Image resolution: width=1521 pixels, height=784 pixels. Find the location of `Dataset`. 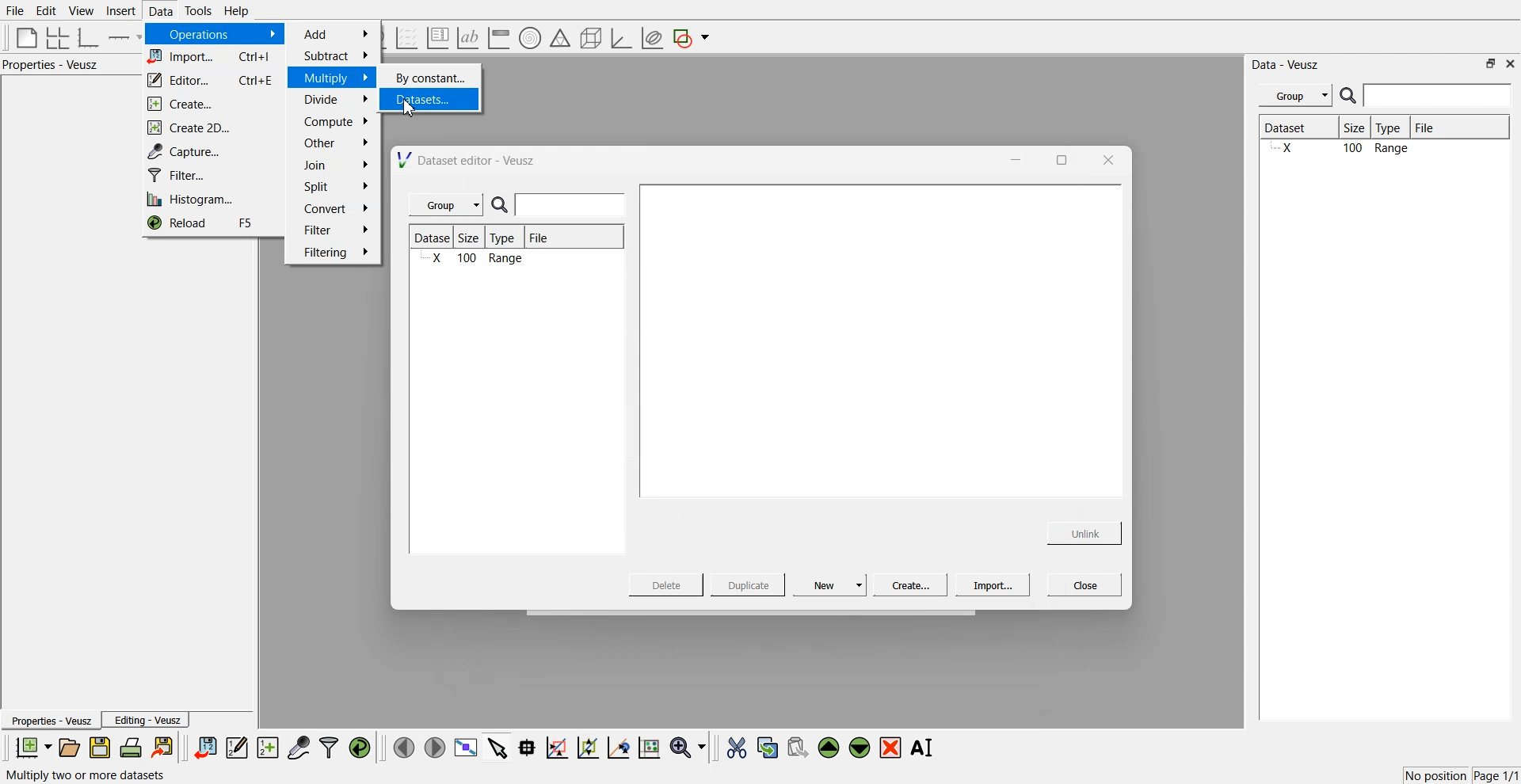

Dataset is located at coordinates (1298, 129).